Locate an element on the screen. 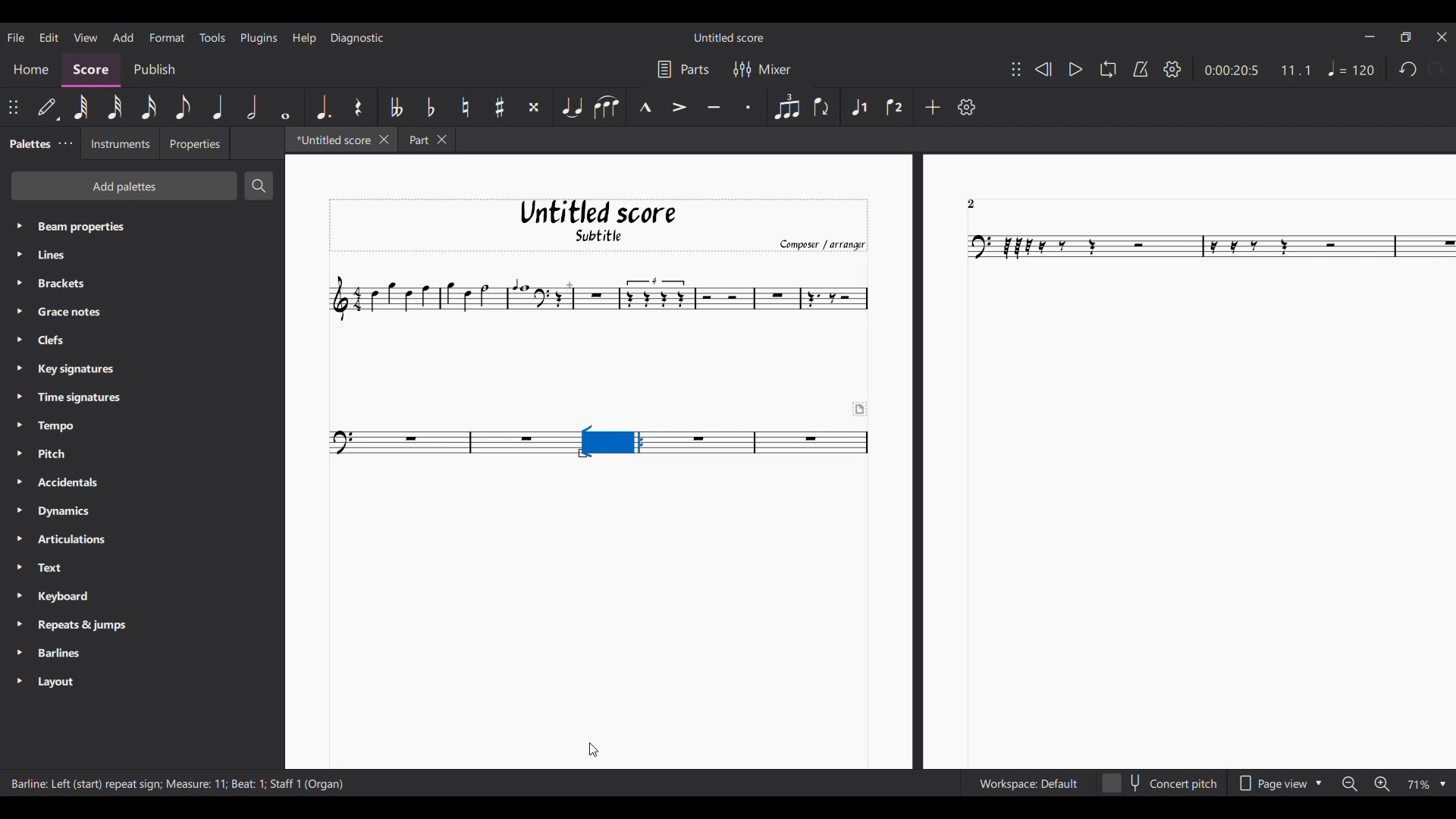  Add is located at coordinates (934, 107).